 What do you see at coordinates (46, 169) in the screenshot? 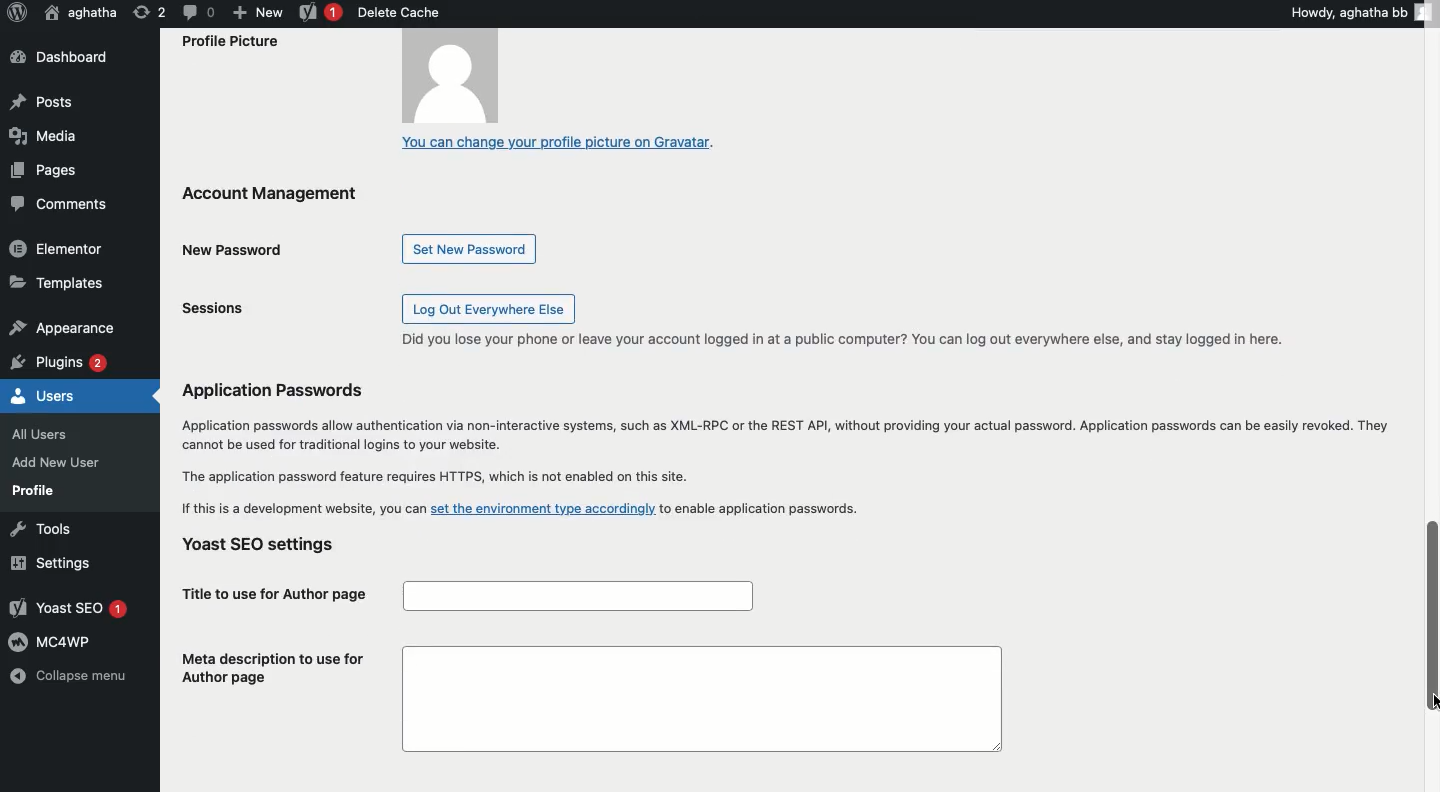
I see `Pages` at bounding box center [46, 169].